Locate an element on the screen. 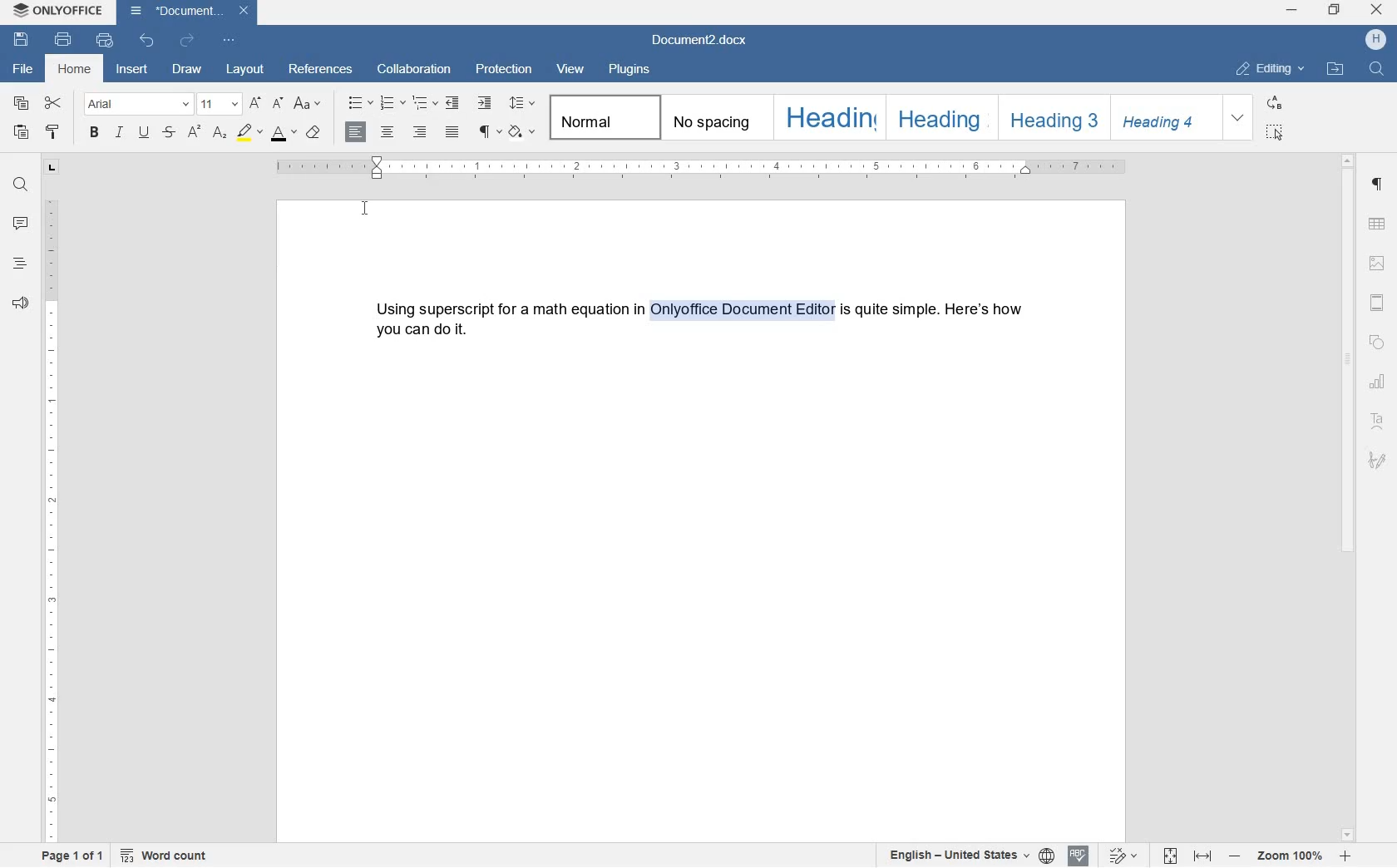  OPEN FILE LOCATION is located at coordinates (1337, 72).